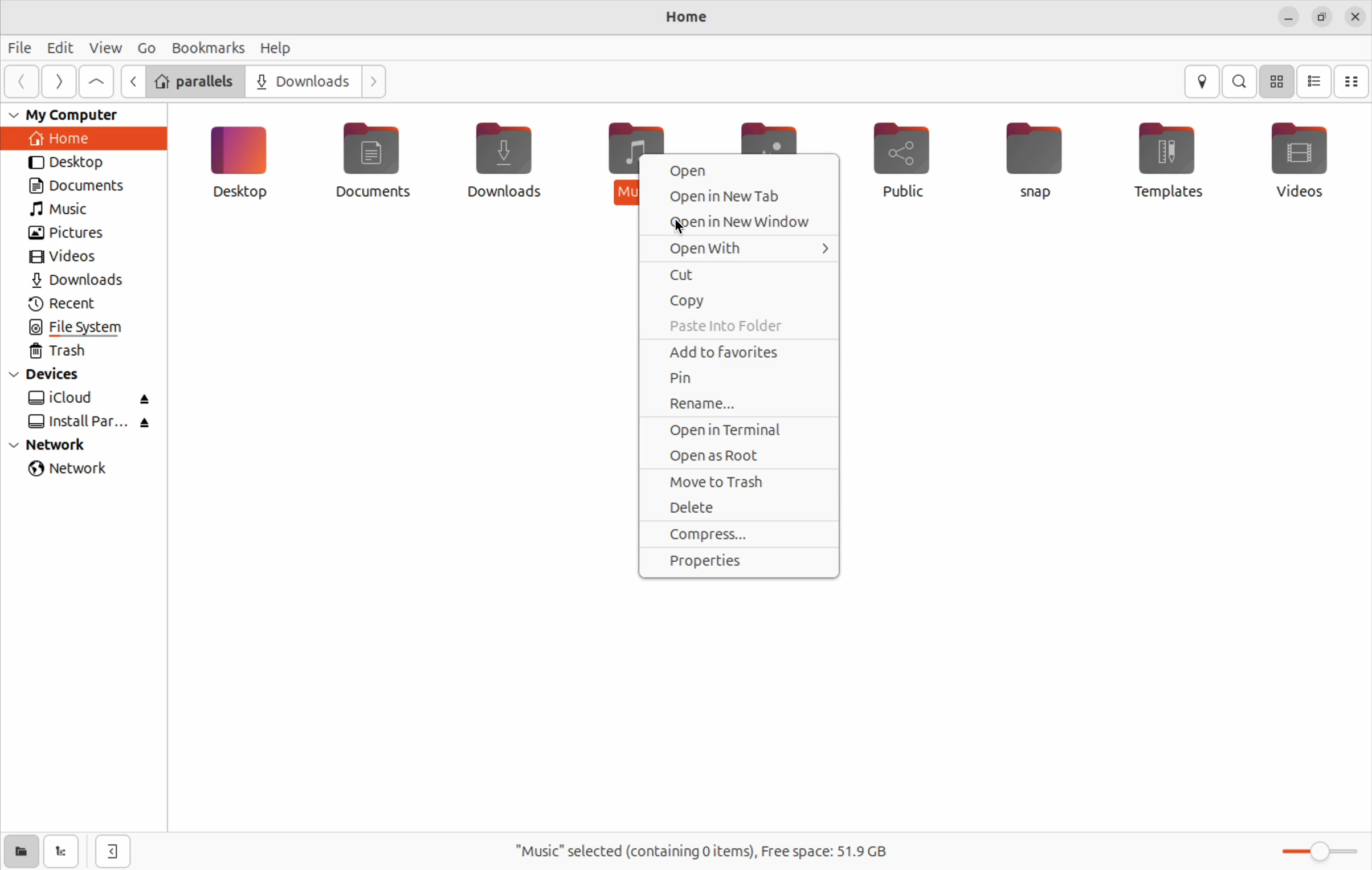 The width and height of the screenshot is (1372, 870). What do you see at coordinates (209, 47) in the screenshot?
I see `Book marks` at bounding box center [209, 47].